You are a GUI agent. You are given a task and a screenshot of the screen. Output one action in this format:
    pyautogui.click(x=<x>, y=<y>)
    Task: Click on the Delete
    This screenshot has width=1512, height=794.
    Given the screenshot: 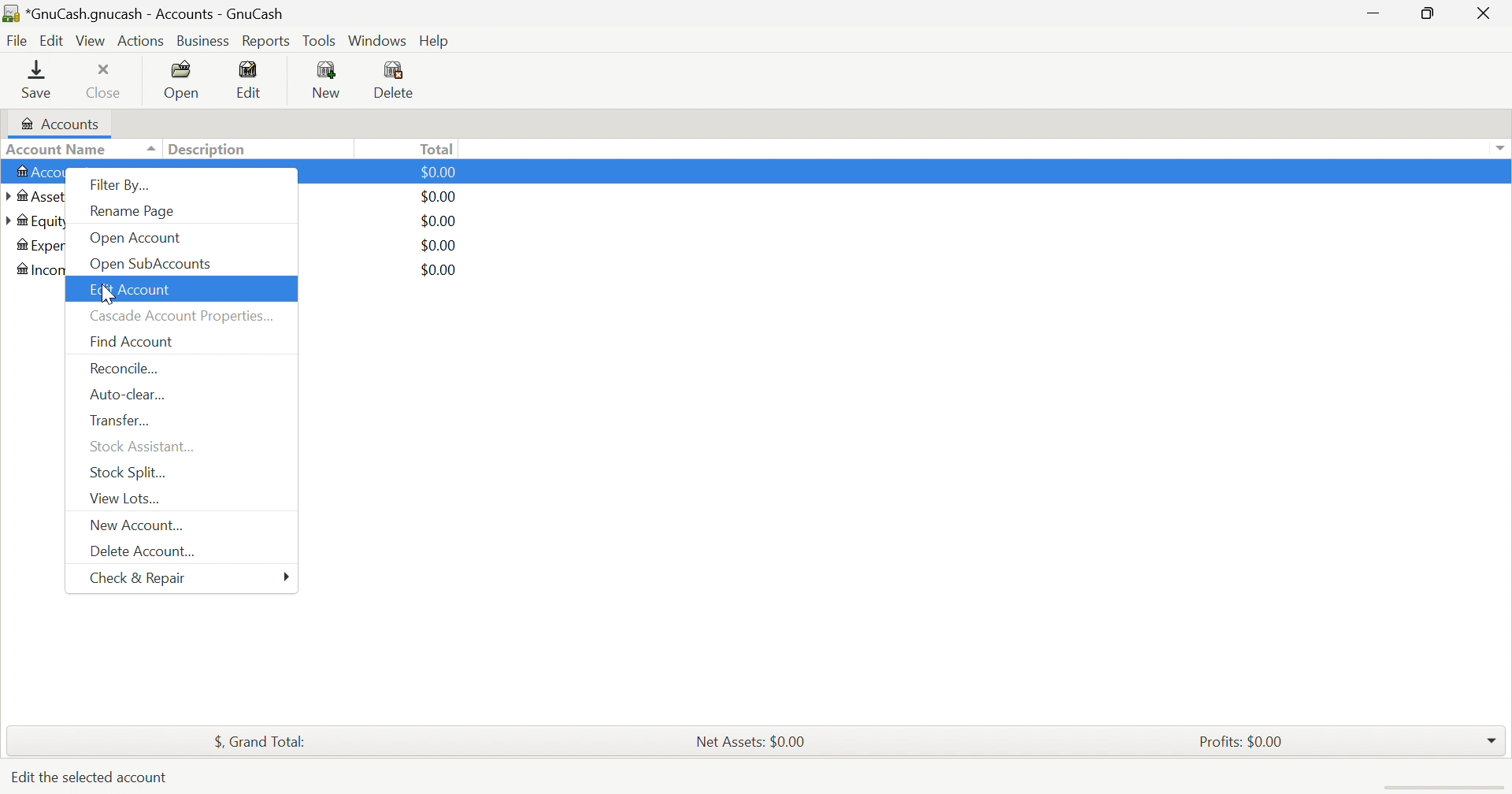 What is the action you would take?
    pyautogui.click(x=398, y=80)
    